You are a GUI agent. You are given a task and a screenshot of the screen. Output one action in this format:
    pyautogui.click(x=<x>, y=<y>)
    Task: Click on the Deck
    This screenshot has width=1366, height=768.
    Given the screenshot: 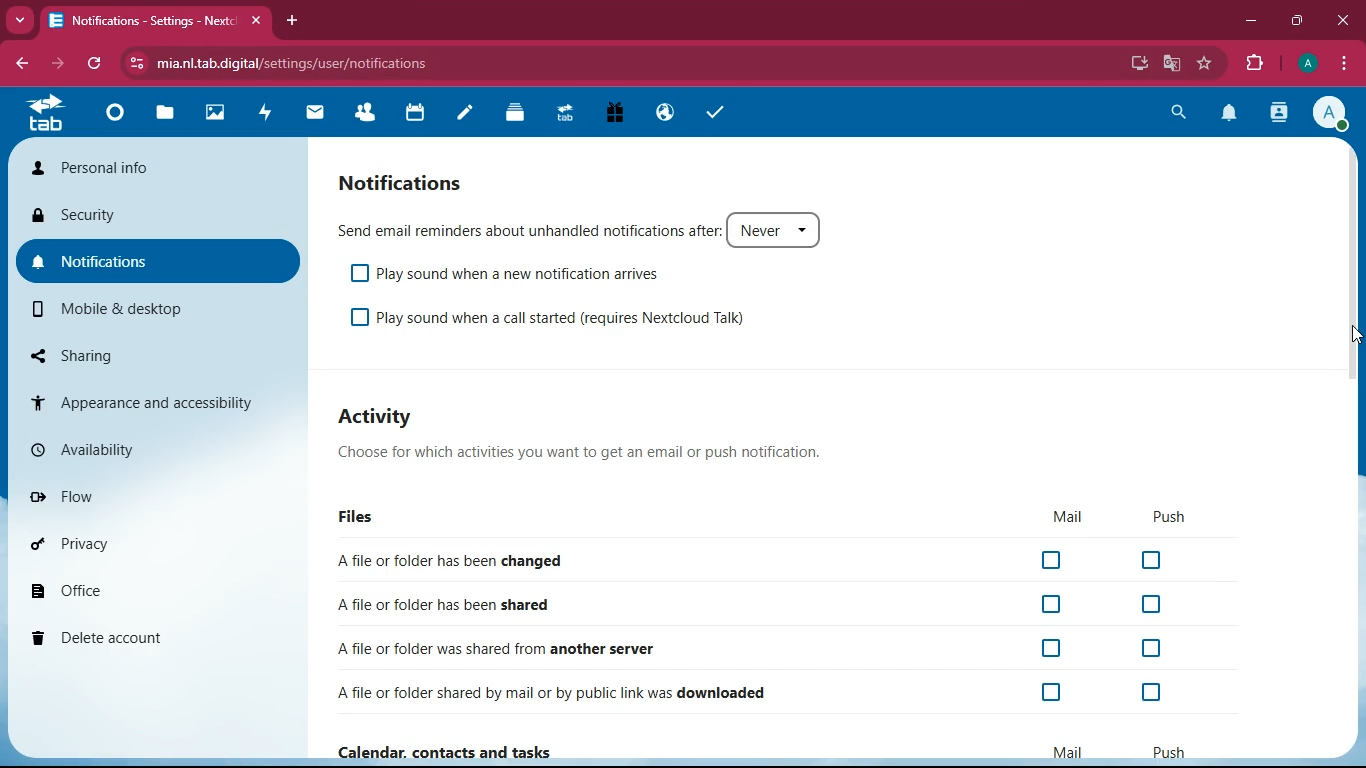 What is the action you would take?
    pyautogui.click(x=511, y=114)
    